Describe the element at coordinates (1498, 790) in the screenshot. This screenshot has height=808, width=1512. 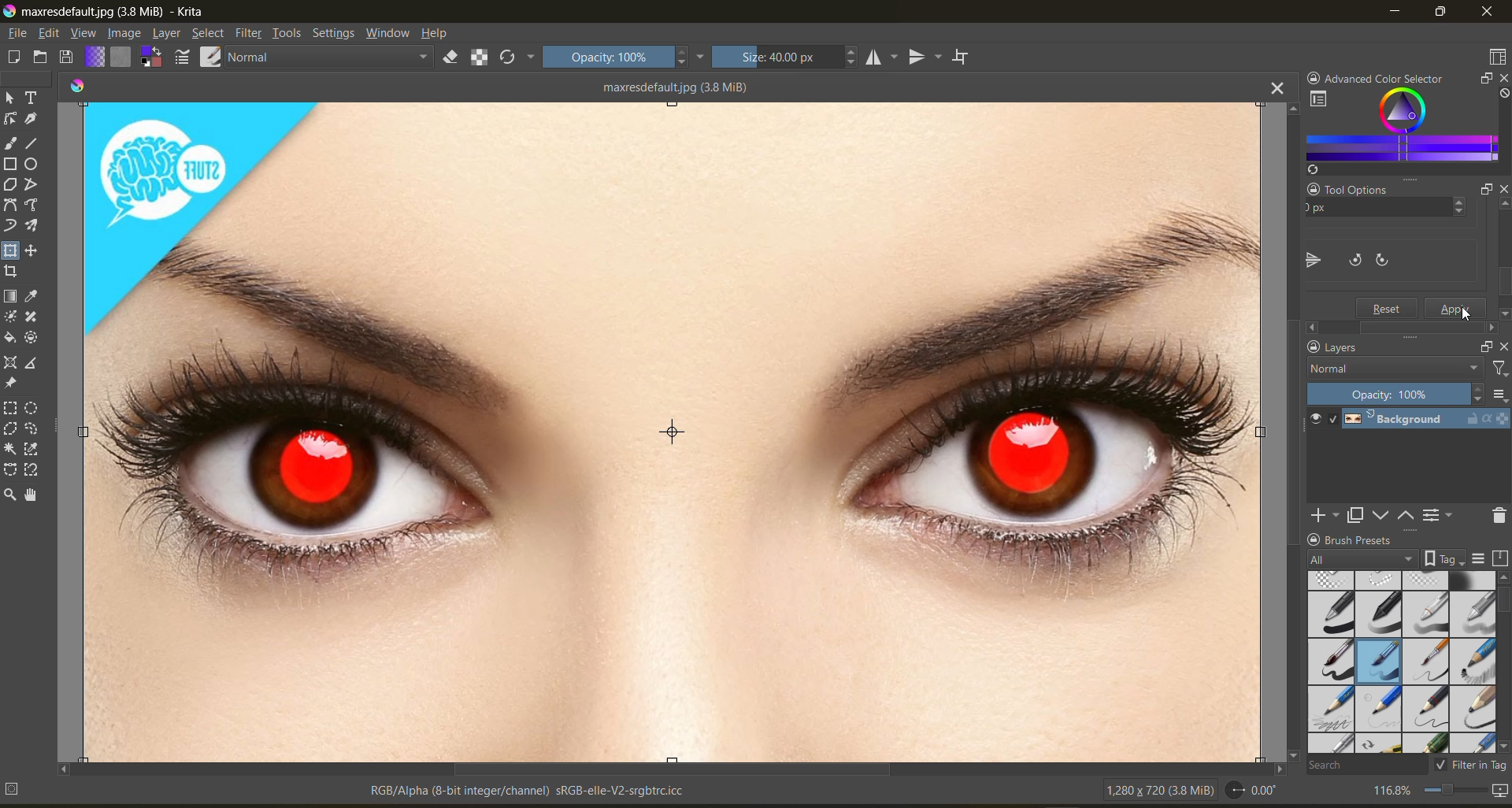
I see `map the canvas` at that location.